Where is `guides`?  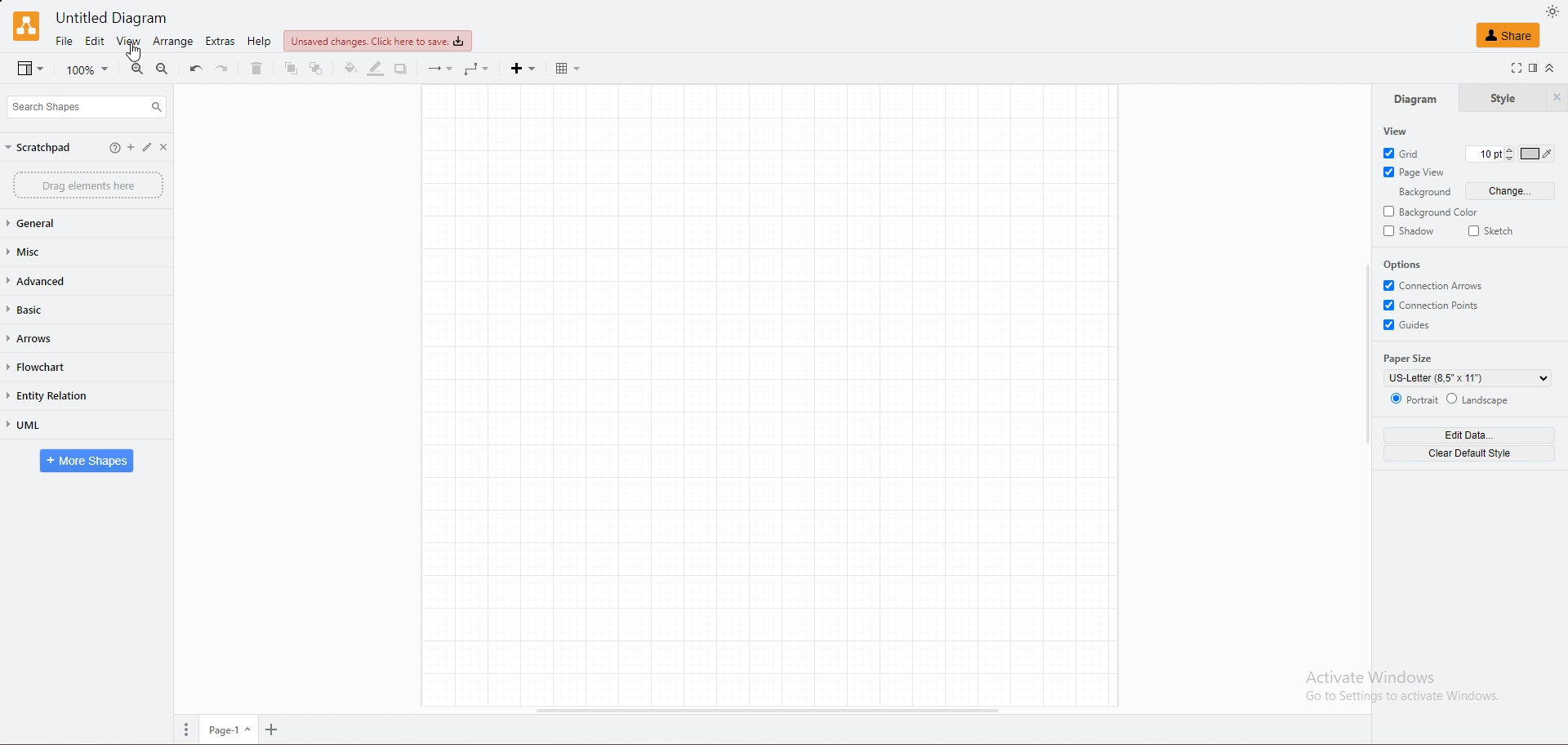 guides is located at coordinates (1413, 325).